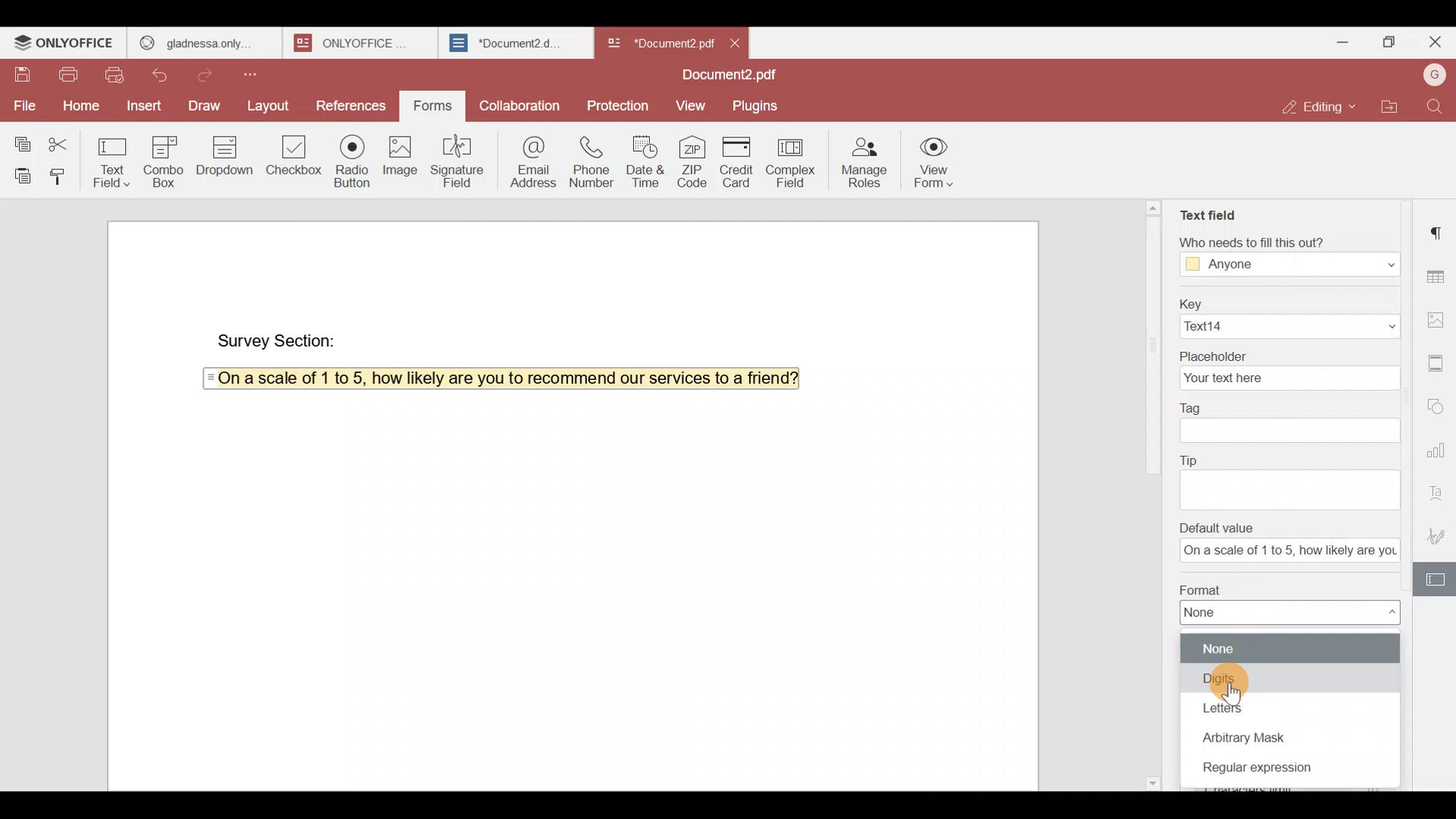  Describe the element at coordinates (1288, 460) in the screenshot. I see `Tip` at that location.